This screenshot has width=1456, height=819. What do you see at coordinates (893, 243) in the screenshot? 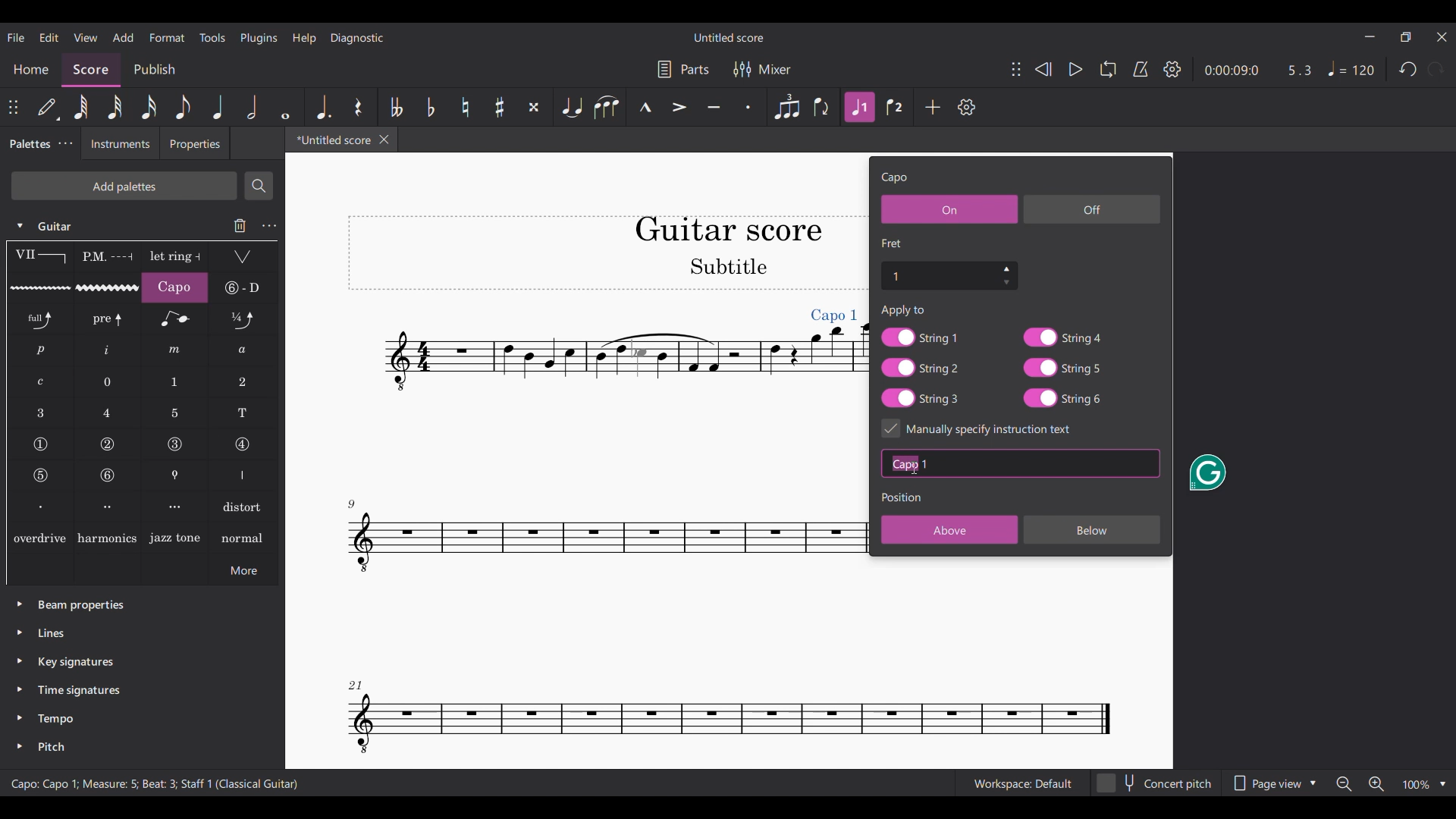
I see `Section title` at bounding box center [893, 243].